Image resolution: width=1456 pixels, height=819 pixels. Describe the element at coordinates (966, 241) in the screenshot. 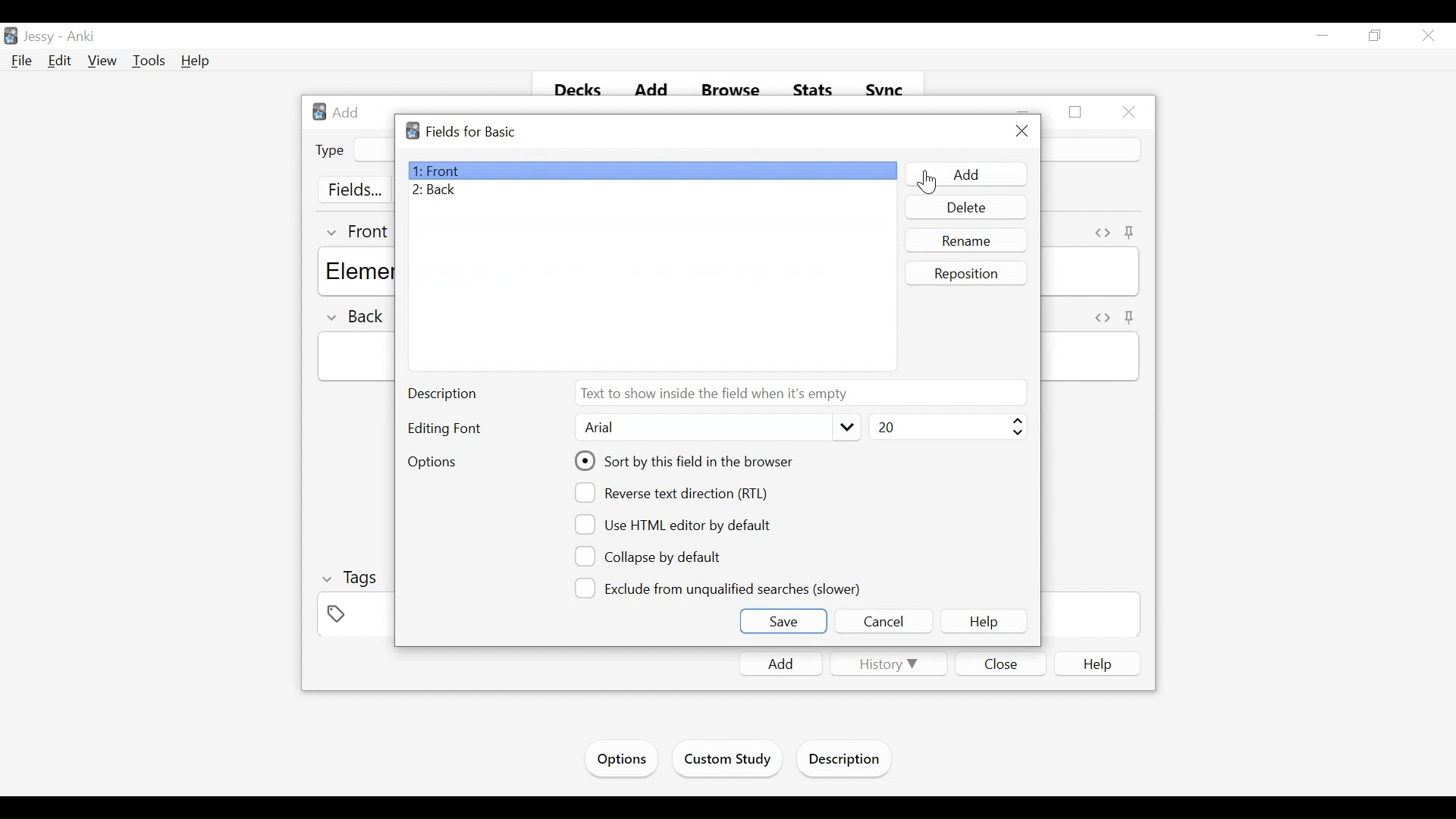

I see `Rename` at that location.